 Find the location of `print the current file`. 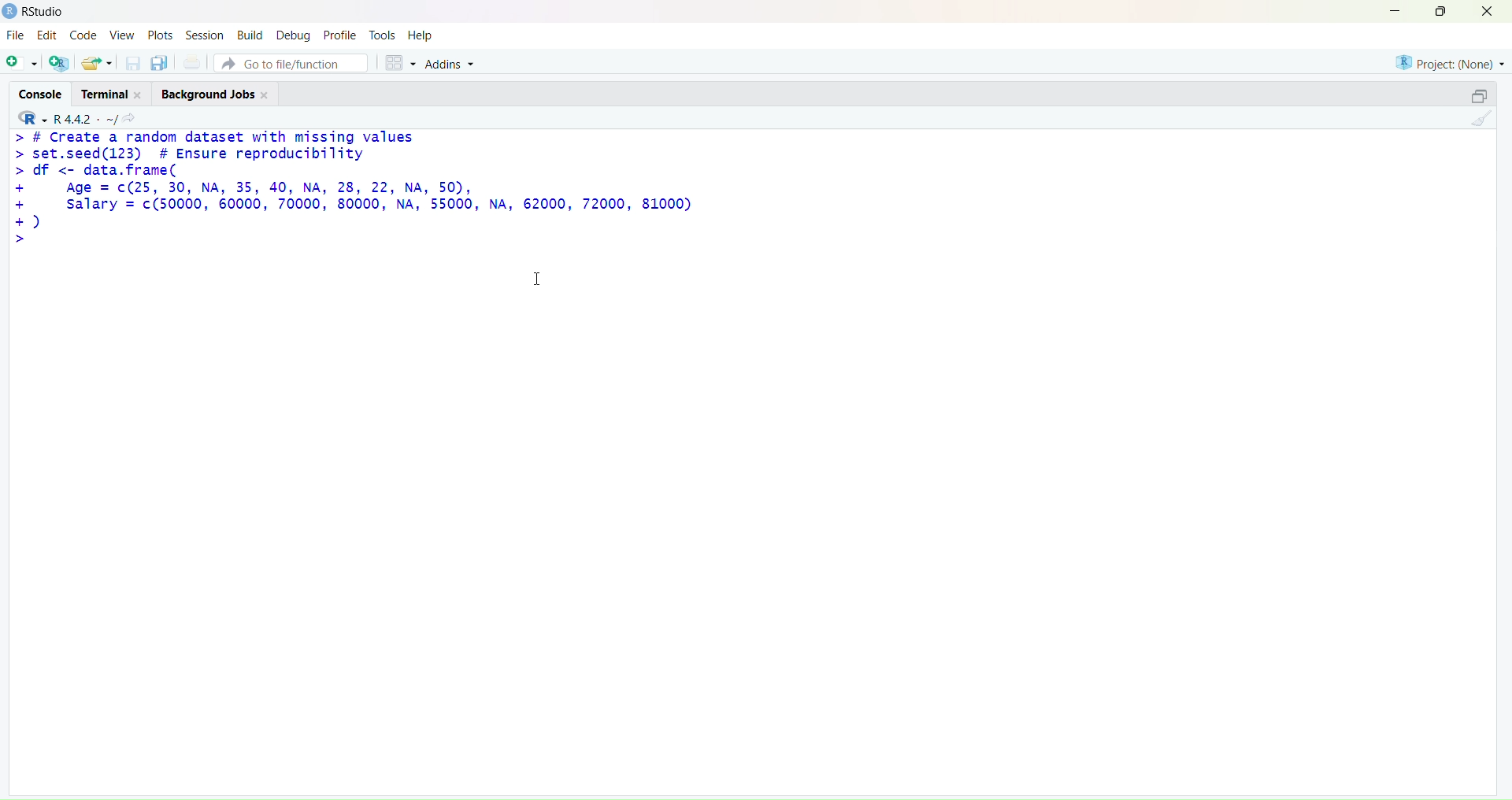

print the current file is located at coordinates (193, 64).